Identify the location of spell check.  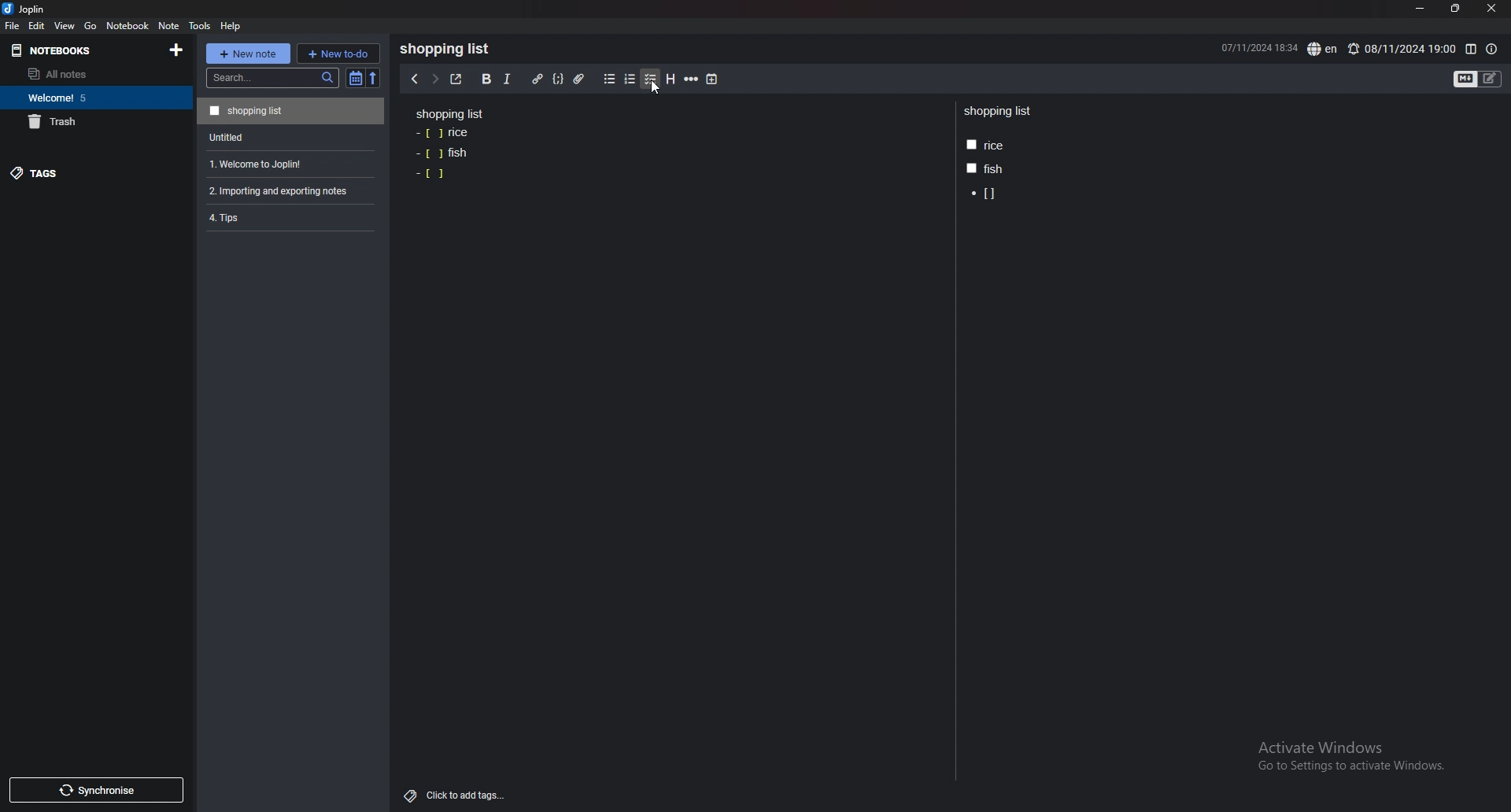
(1324, 49).